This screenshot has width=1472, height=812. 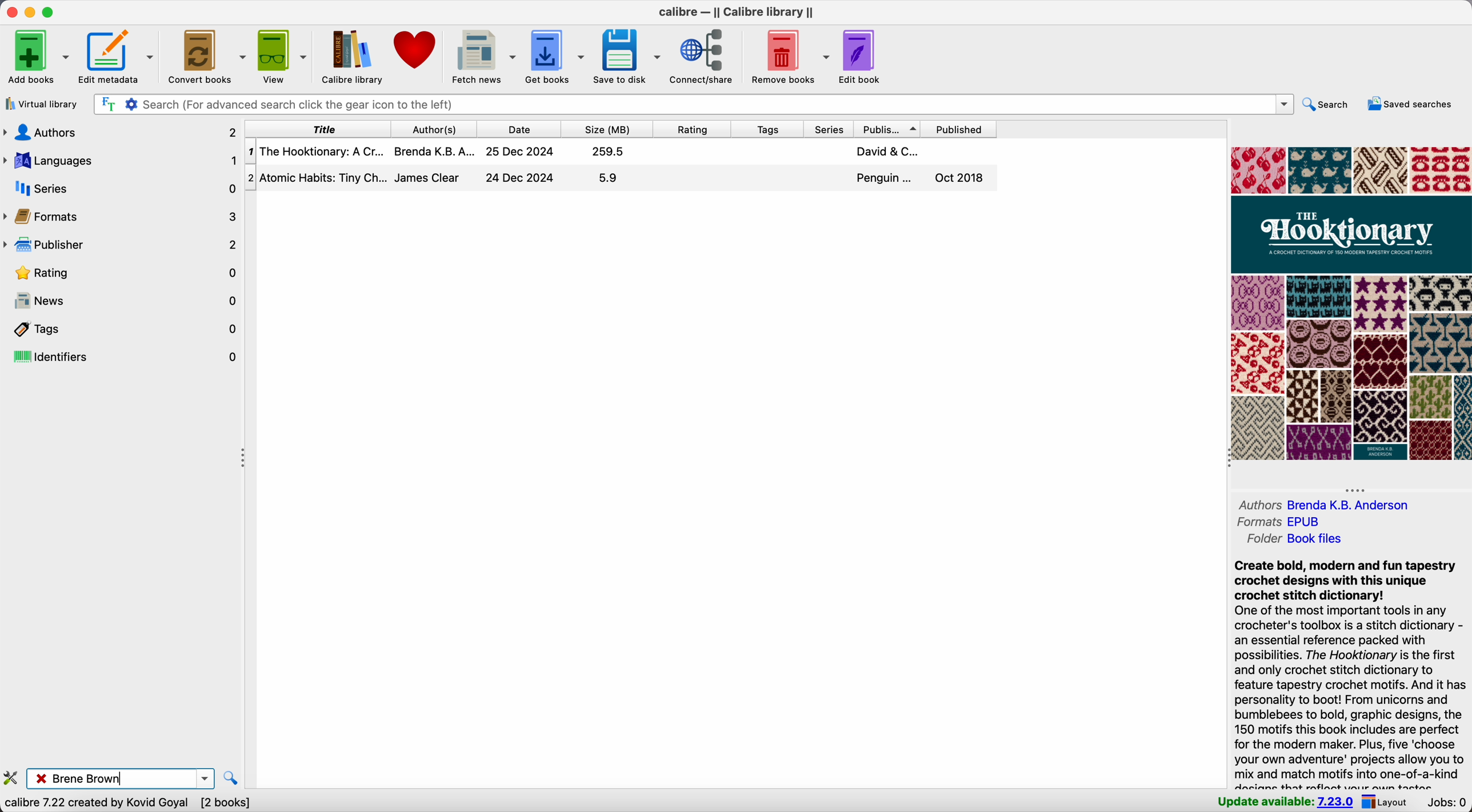 What do you see at coordinates (608, 127) in the screenshot?
I see `size` at bounding box center [608, 127].